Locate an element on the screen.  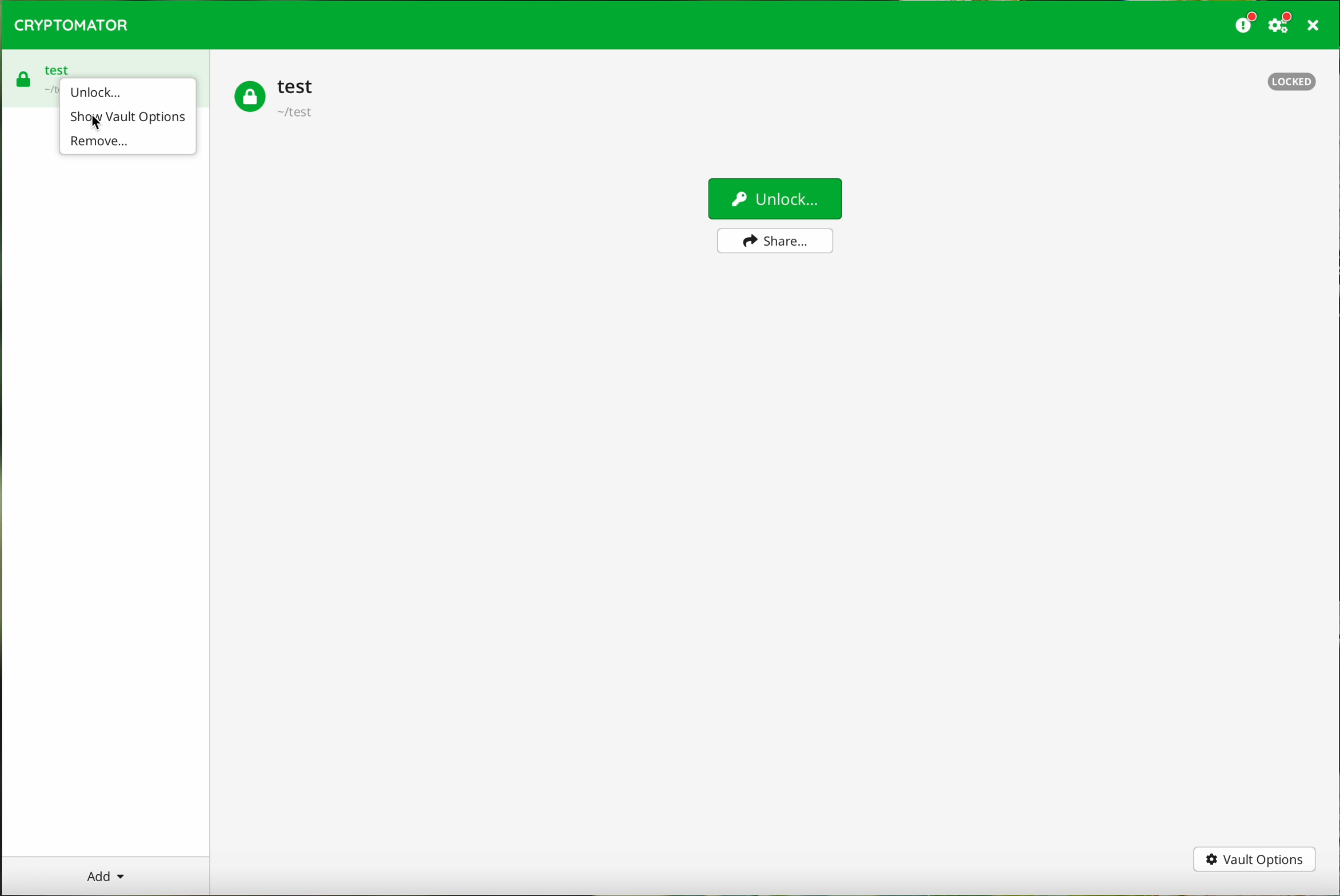
close is located at coordinates (1312, 25).